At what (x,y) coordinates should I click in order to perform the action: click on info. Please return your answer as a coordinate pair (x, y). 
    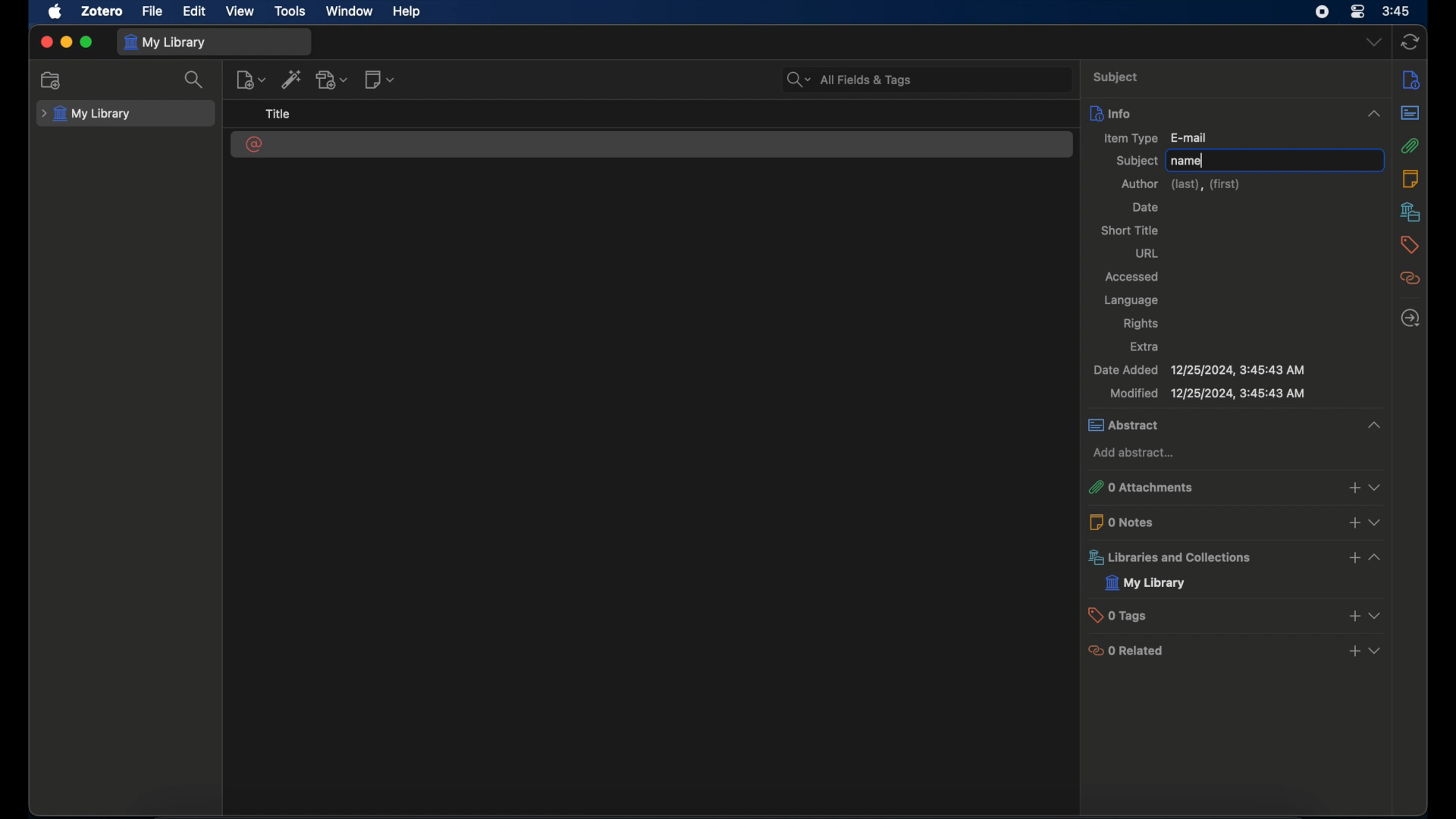
    Looking at the image, I should click on (1234, 112).